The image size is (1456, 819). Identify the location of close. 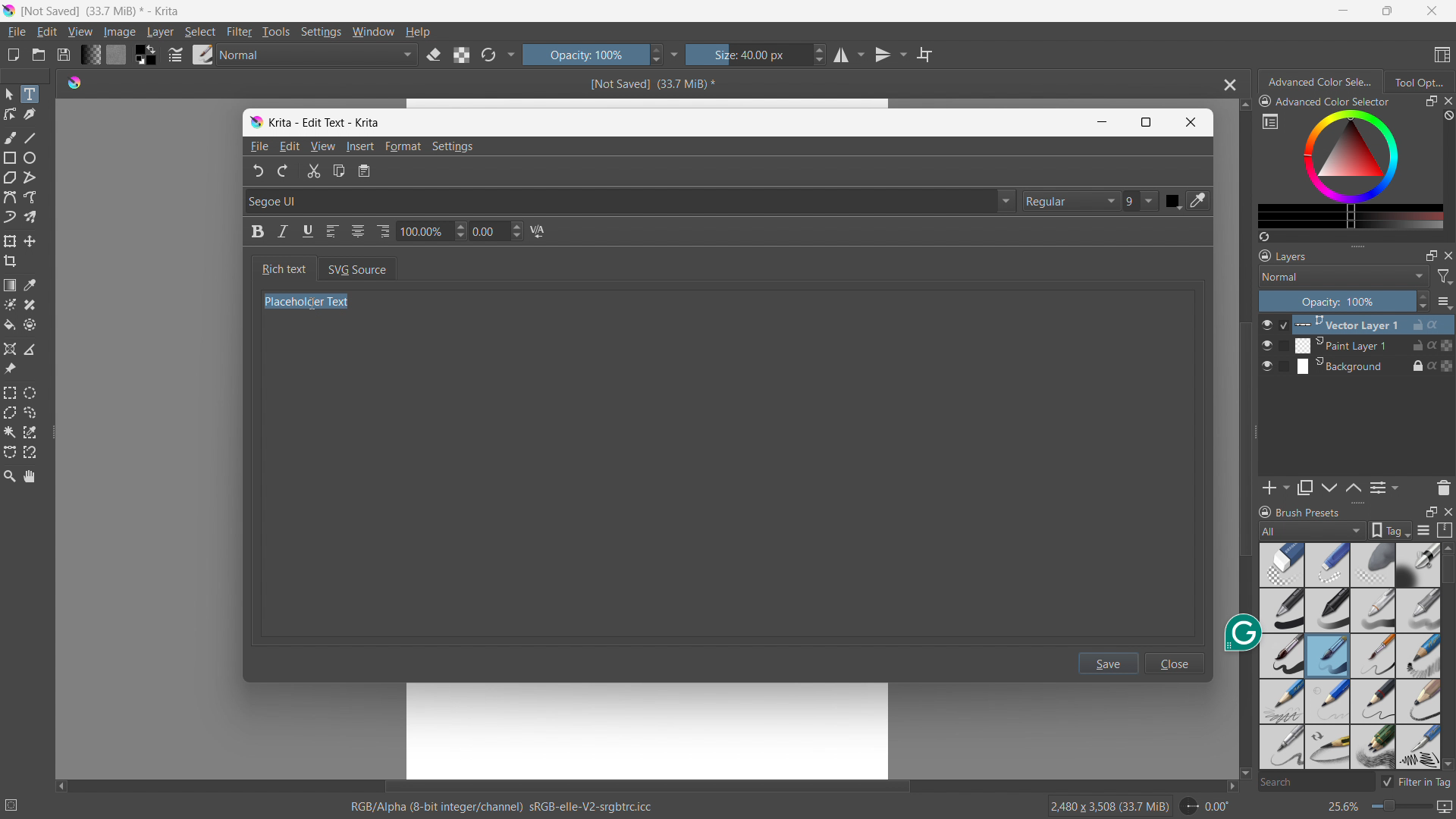
(1432, 11).